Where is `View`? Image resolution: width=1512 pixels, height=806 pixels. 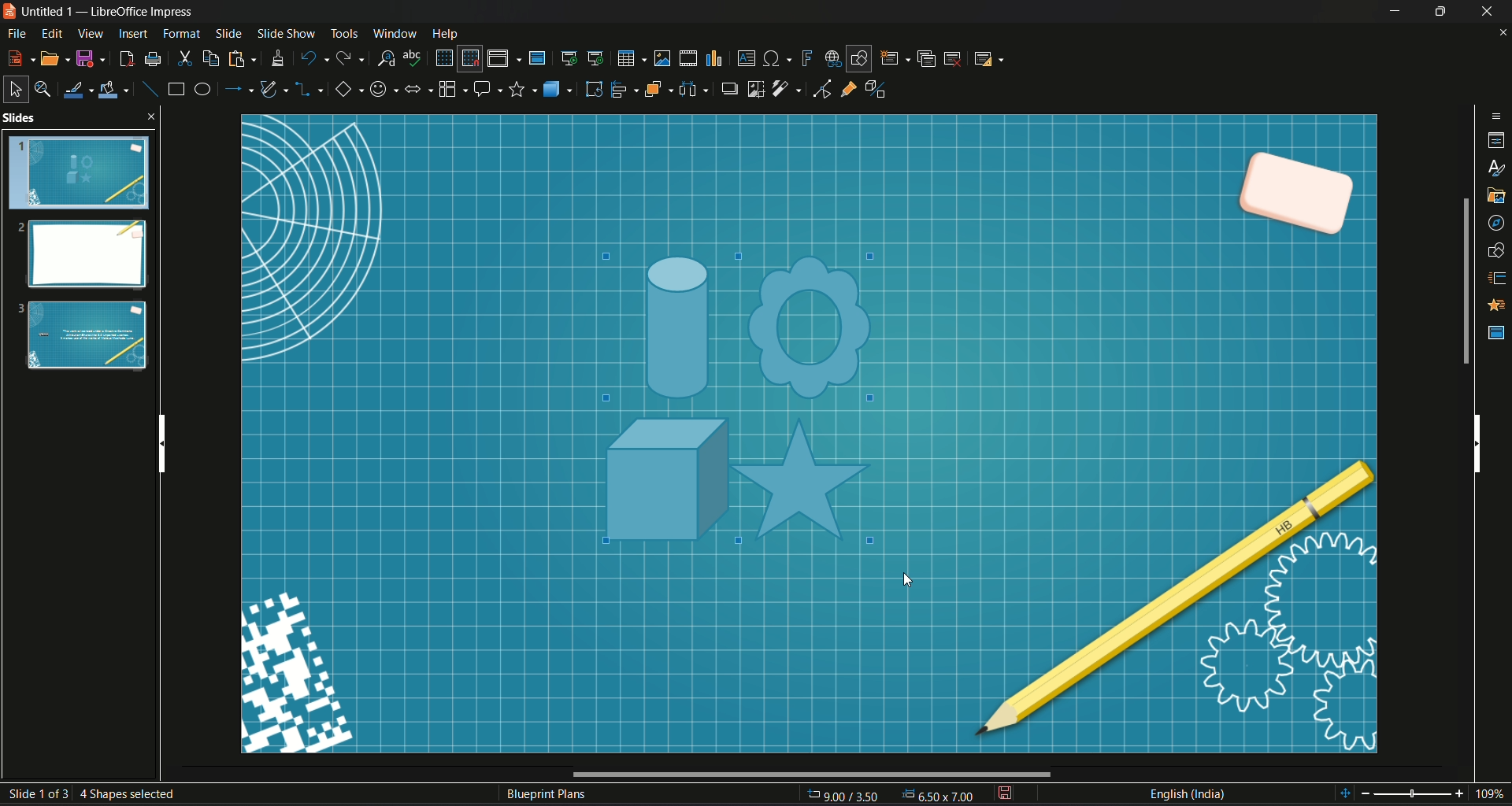
View is located at coordinates (91, 33).